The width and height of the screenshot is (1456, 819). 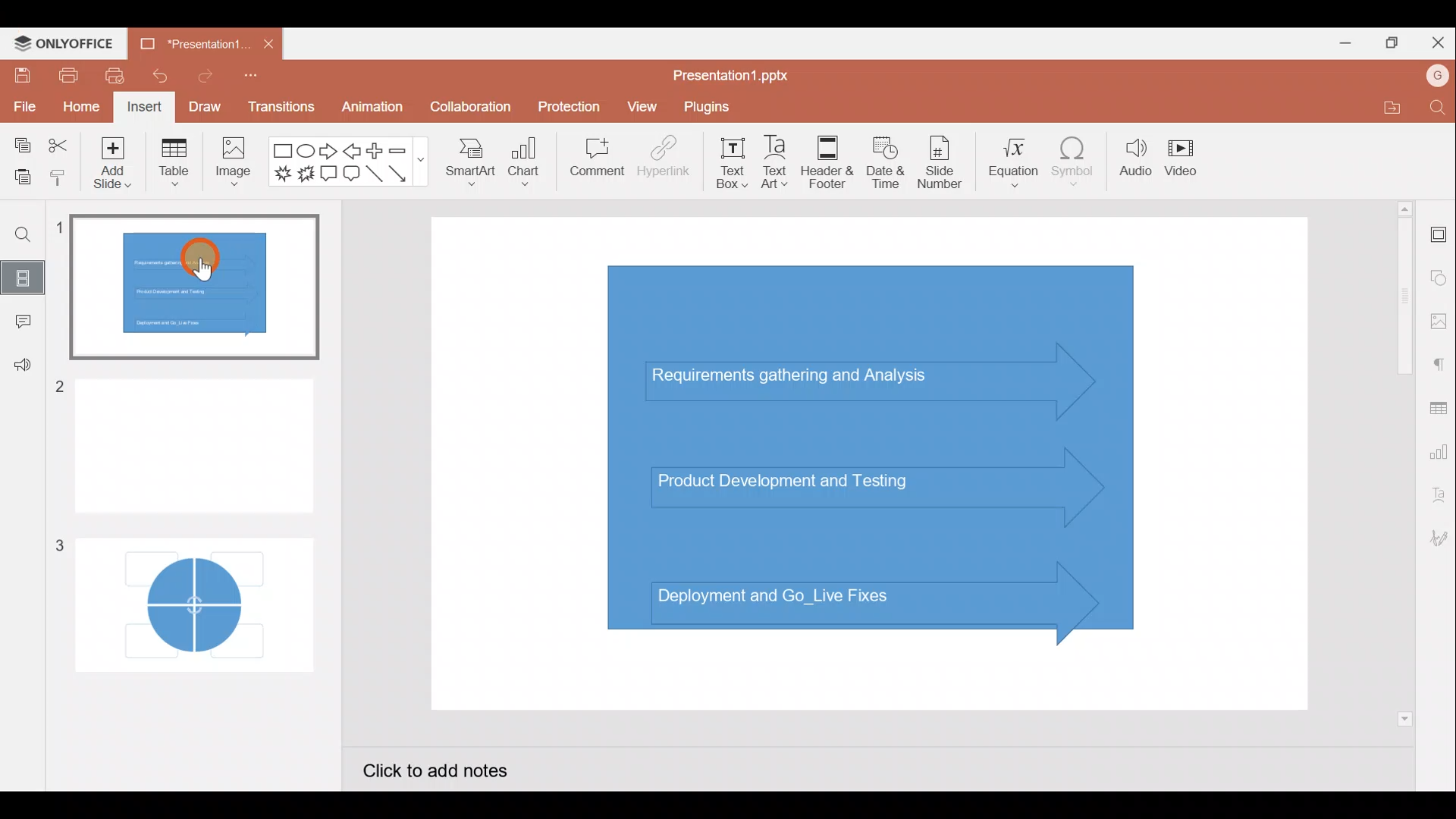 I want to click on Protection, so click(x=566, y=103).